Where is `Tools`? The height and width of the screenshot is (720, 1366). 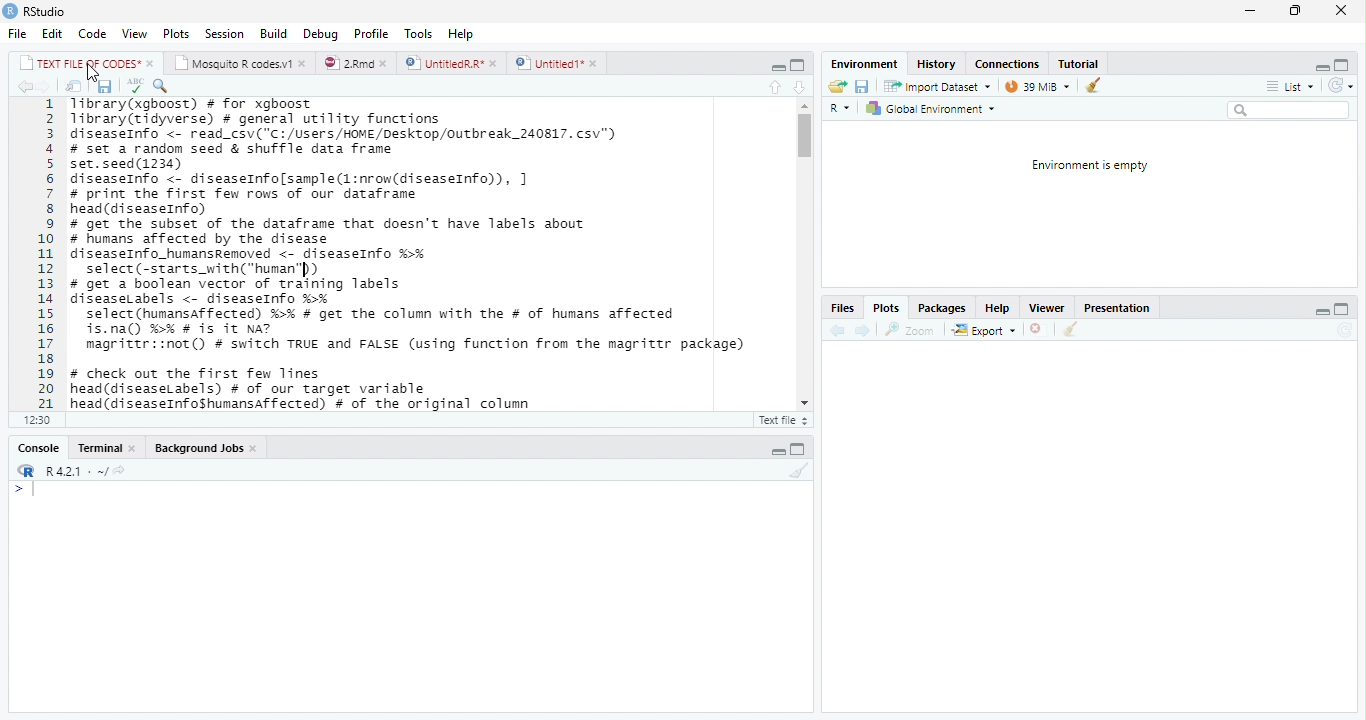 Tools is located at coordinates (418, 33).